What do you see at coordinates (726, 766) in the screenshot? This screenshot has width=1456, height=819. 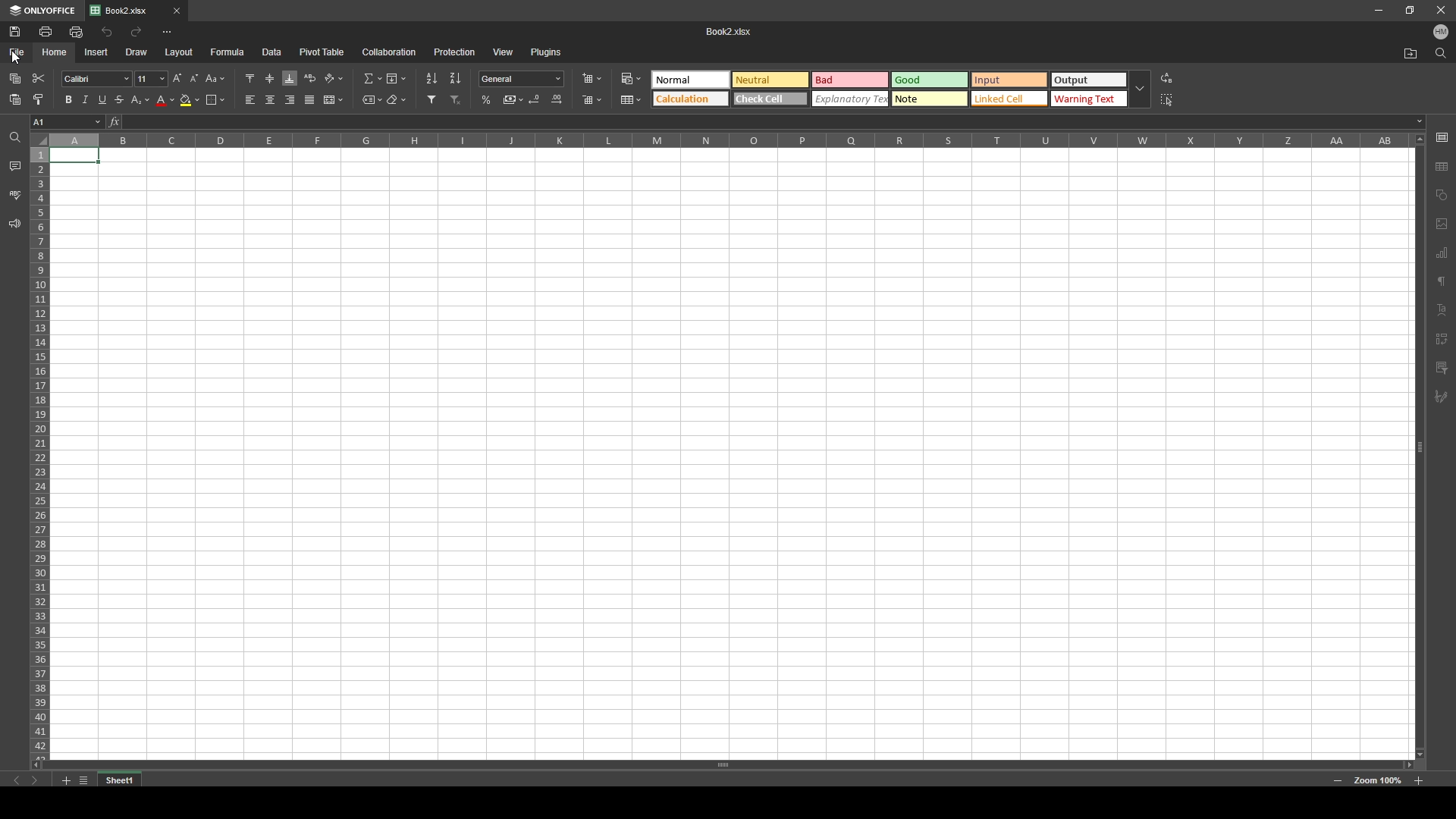 I see `horizontal scroll bar` at bounding box center [726, 766].